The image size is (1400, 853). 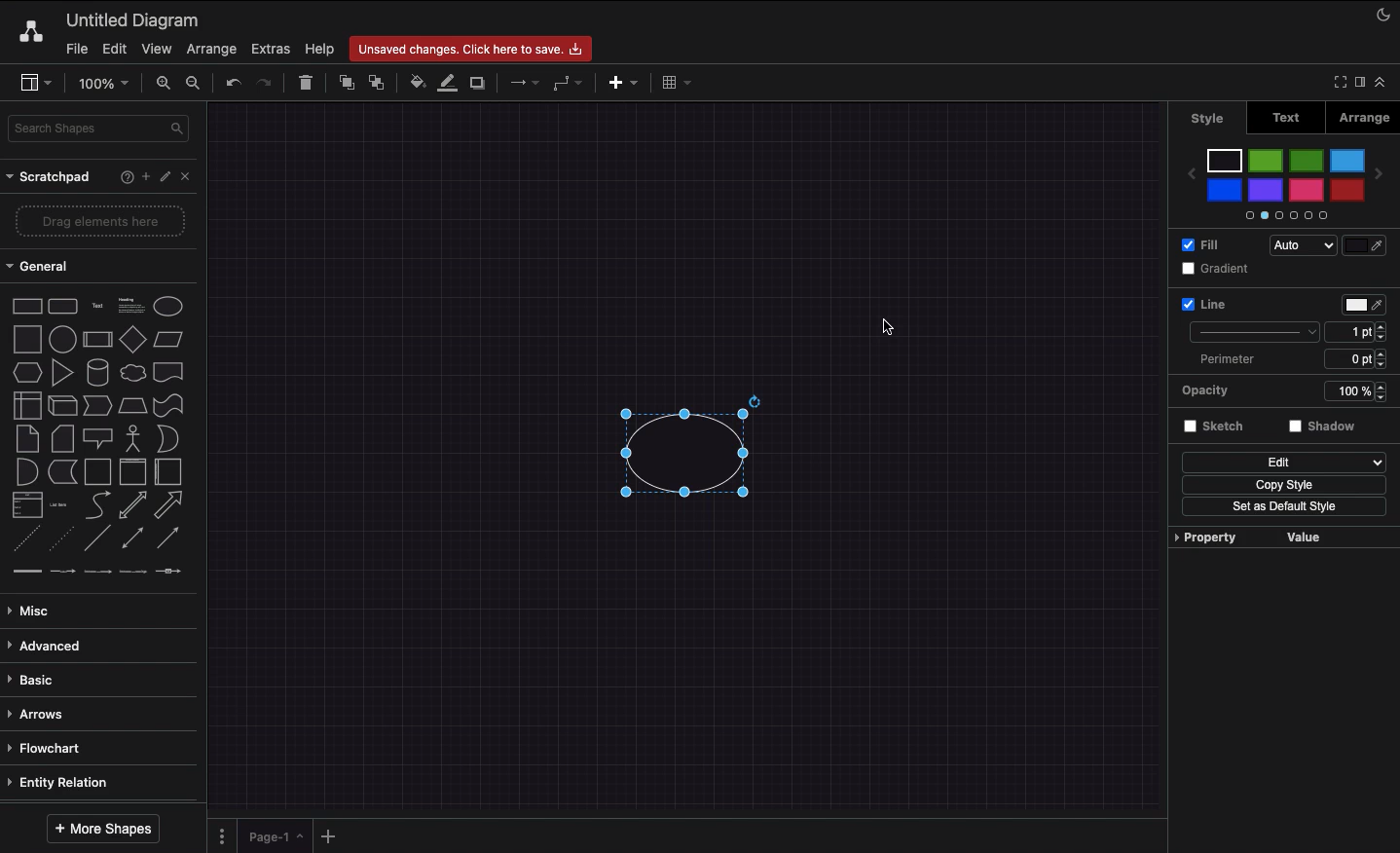 What do you see at coordinates (171, 538) in the screenshot?
I see `Directional connector` at bounding box center [171, 538].